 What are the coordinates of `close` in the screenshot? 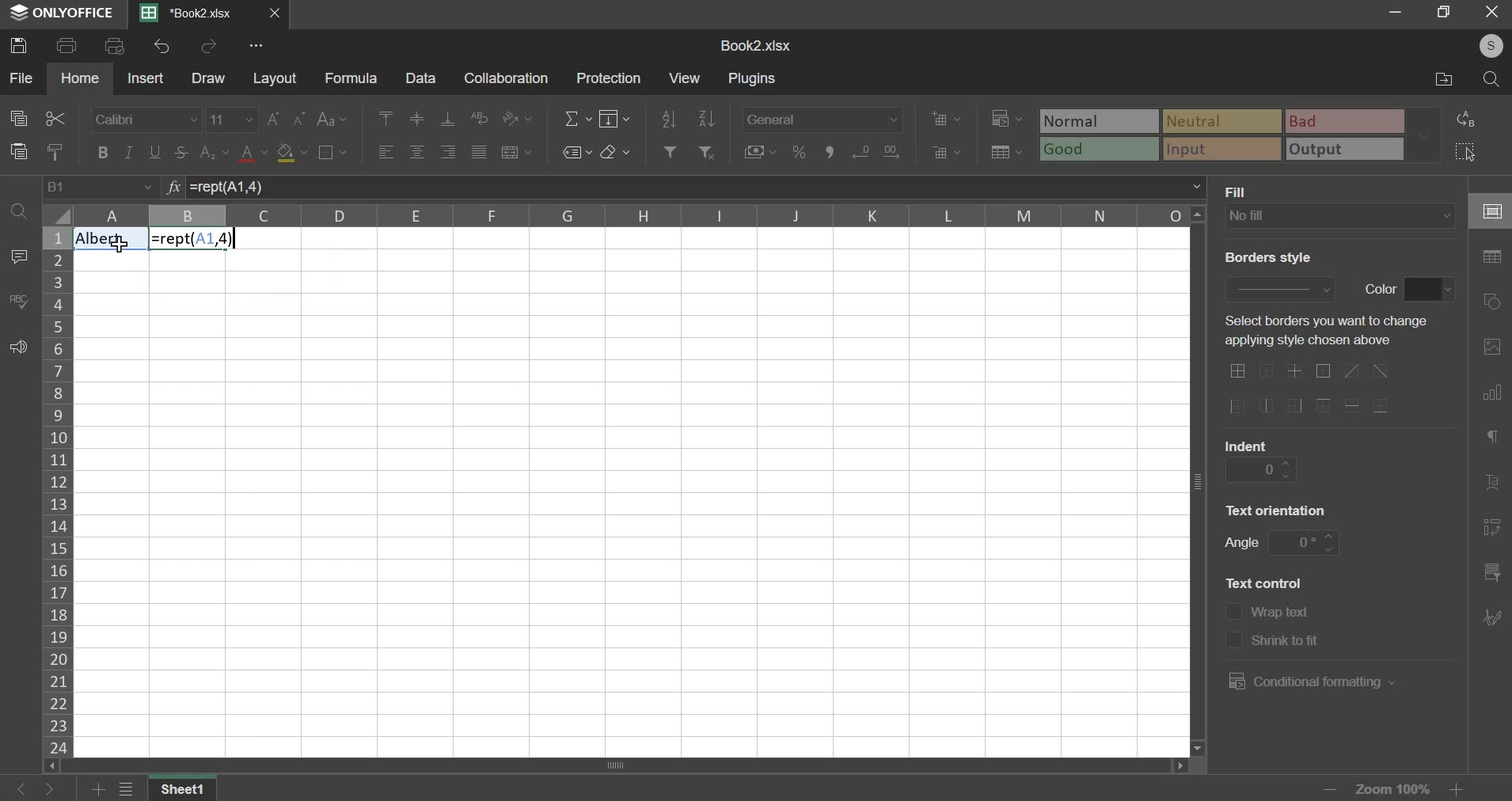 It's located at (1491, 13).